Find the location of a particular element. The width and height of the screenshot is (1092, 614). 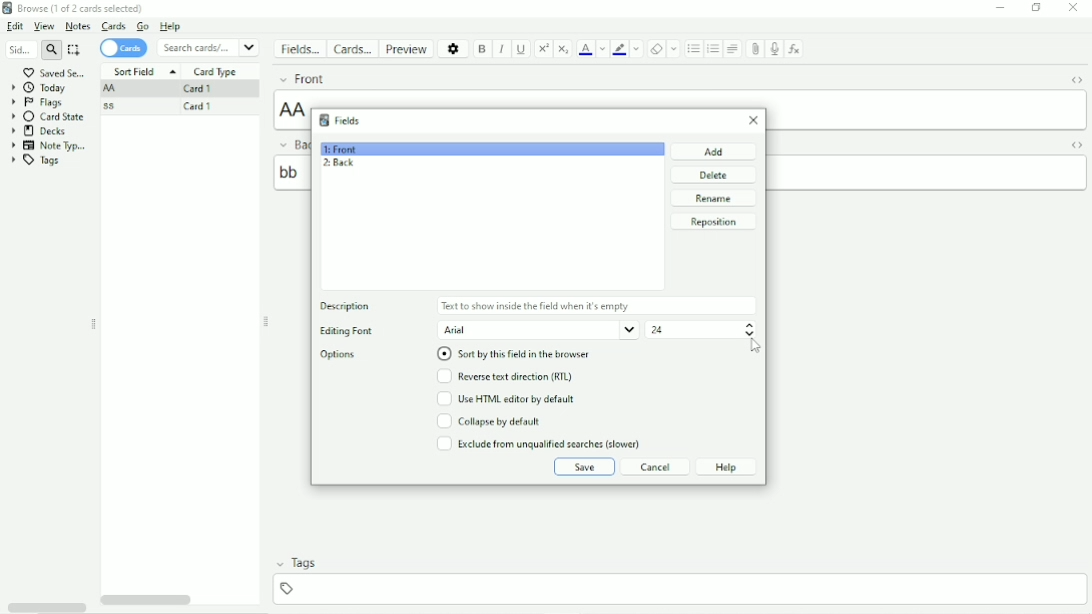

Card Type is located at coordinates (217, 72).